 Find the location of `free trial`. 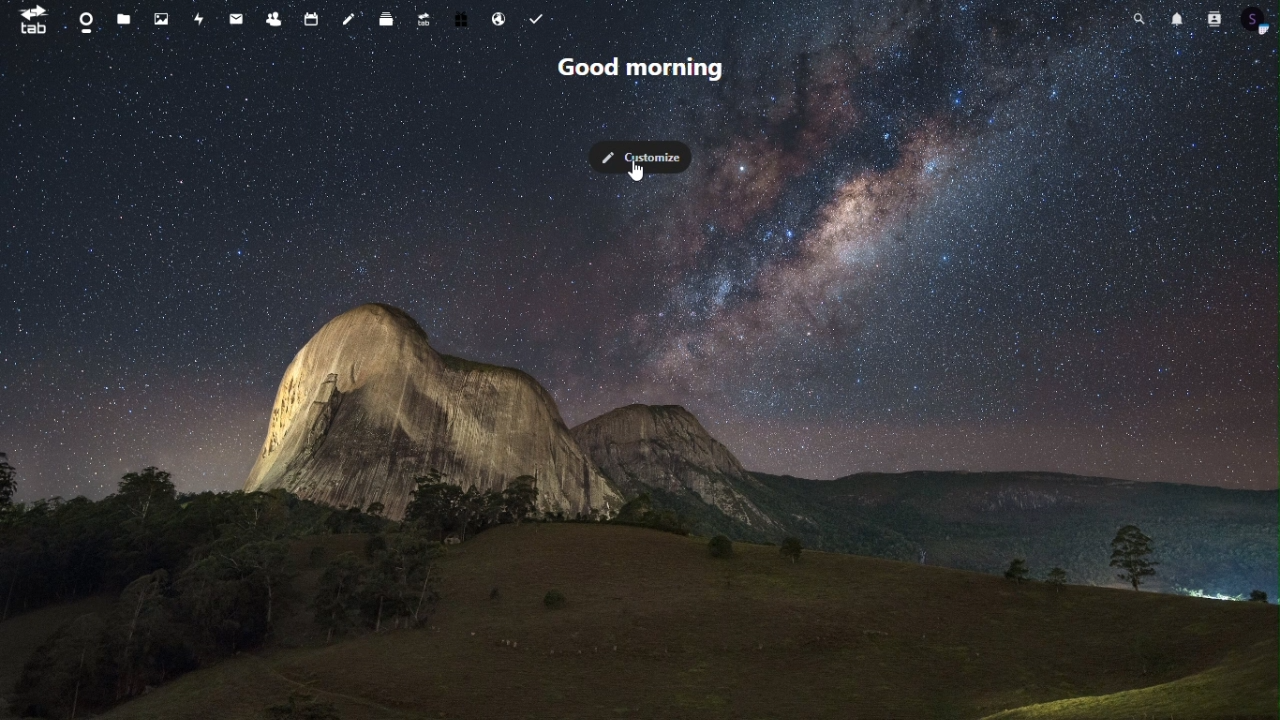

free trial is located at coordinates (464, 21).